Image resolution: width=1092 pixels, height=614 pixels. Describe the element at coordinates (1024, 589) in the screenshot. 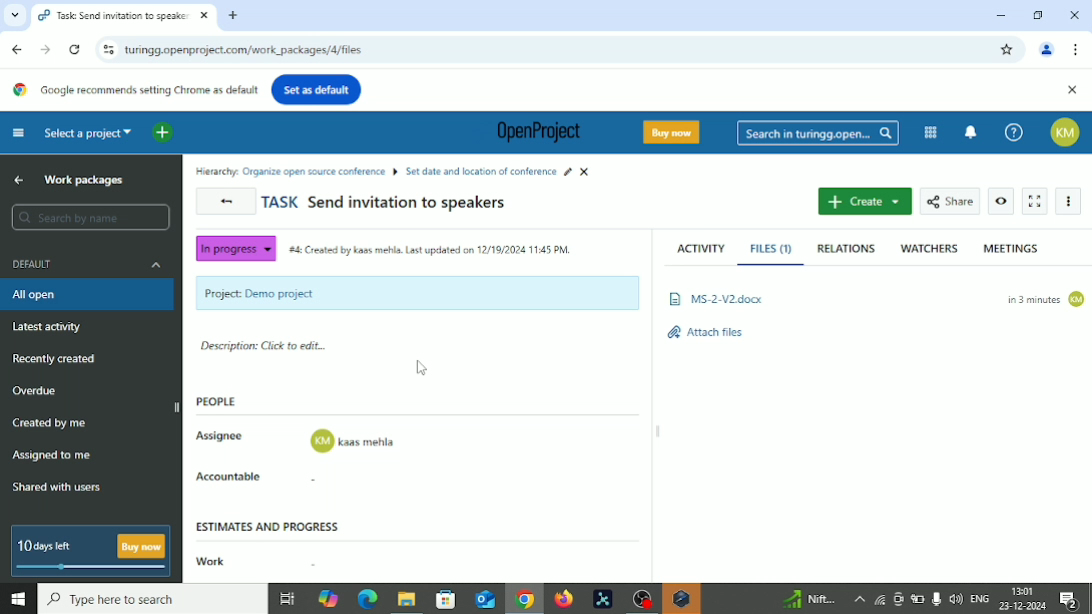

I see `Time` at that location.